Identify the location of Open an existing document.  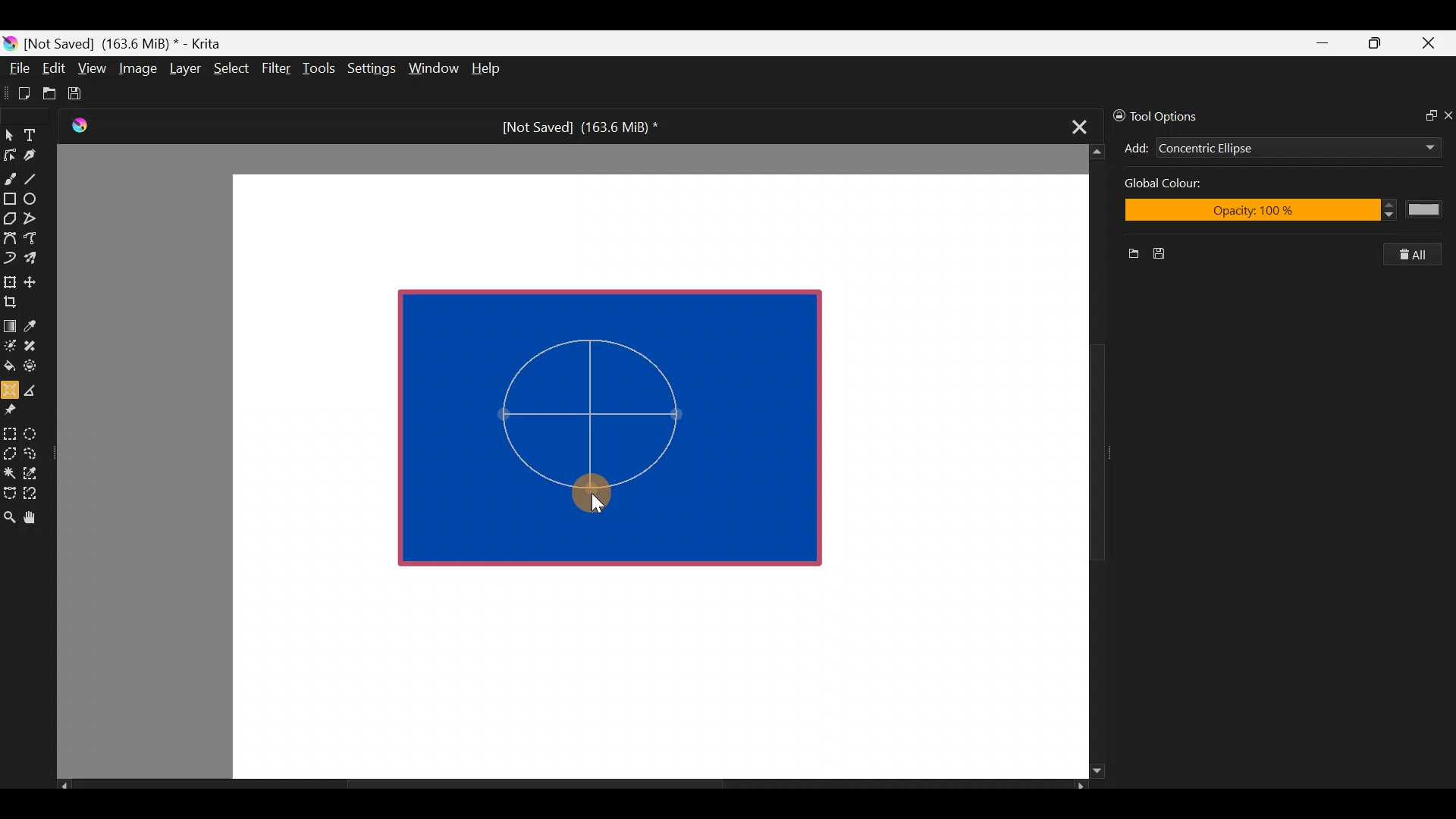
(50, 96).